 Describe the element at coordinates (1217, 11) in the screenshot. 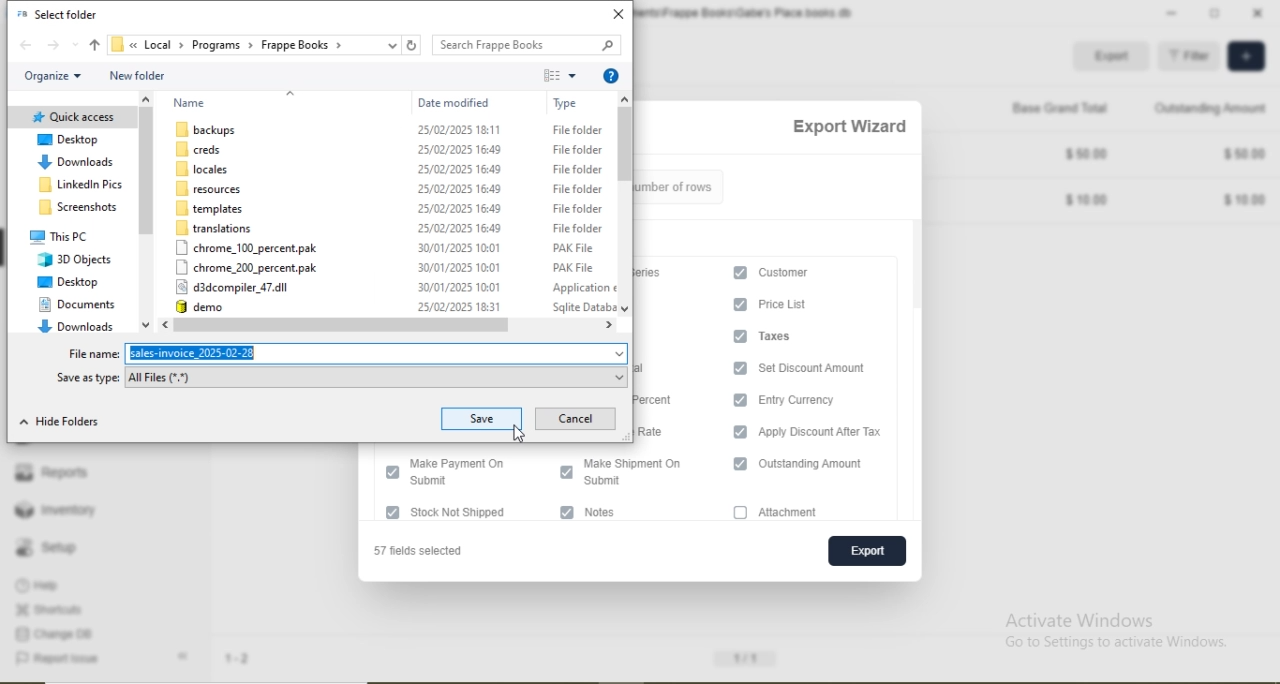

I see `maximise` at that location.